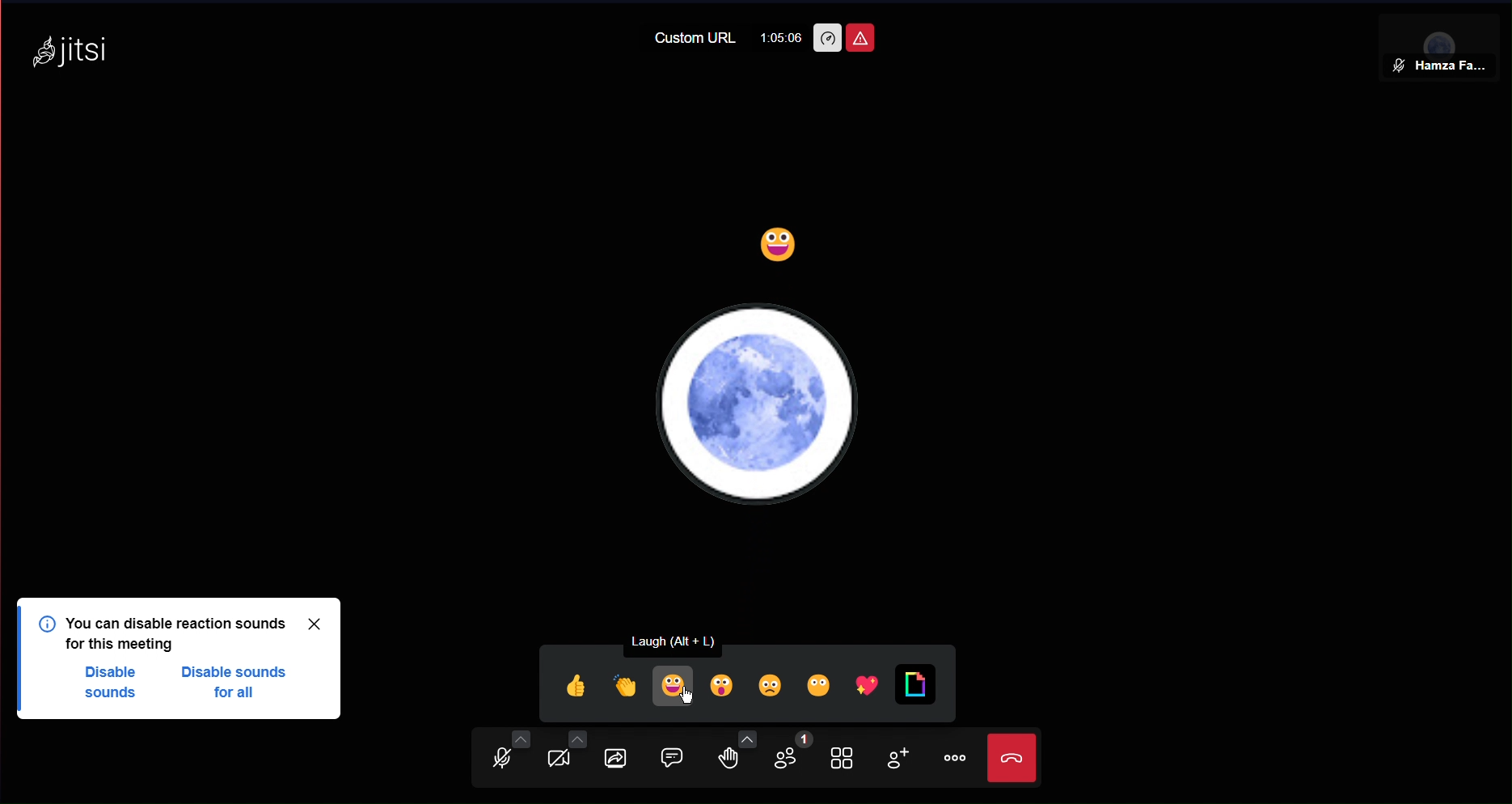 The height and width of the screenshot is (804, 1512). Describe the element at coordinates (686, 639) in the screenshot. I see `Laugh (Alt + L)` at that location.